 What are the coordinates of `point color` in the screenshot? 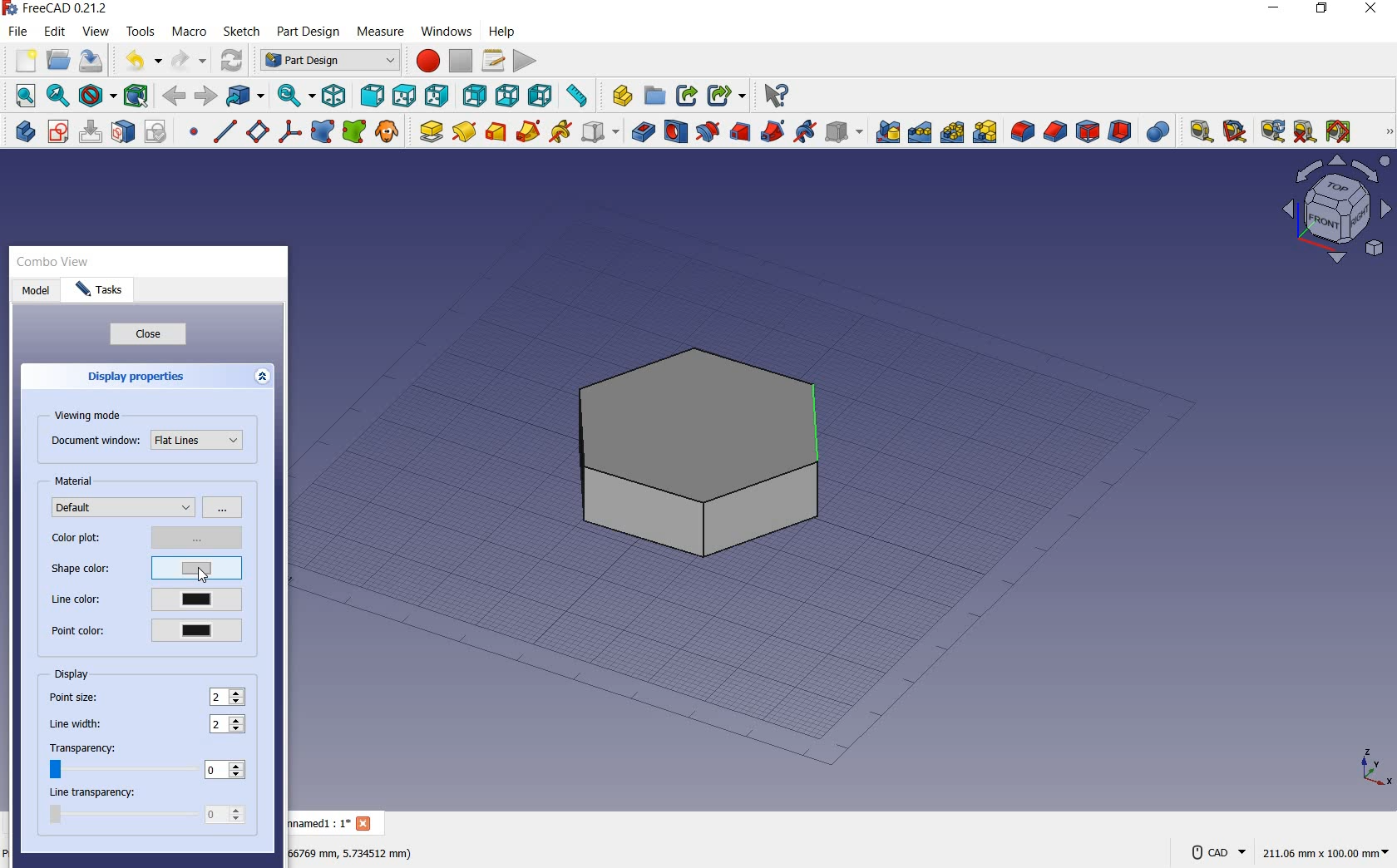 It's located at (76, 632).